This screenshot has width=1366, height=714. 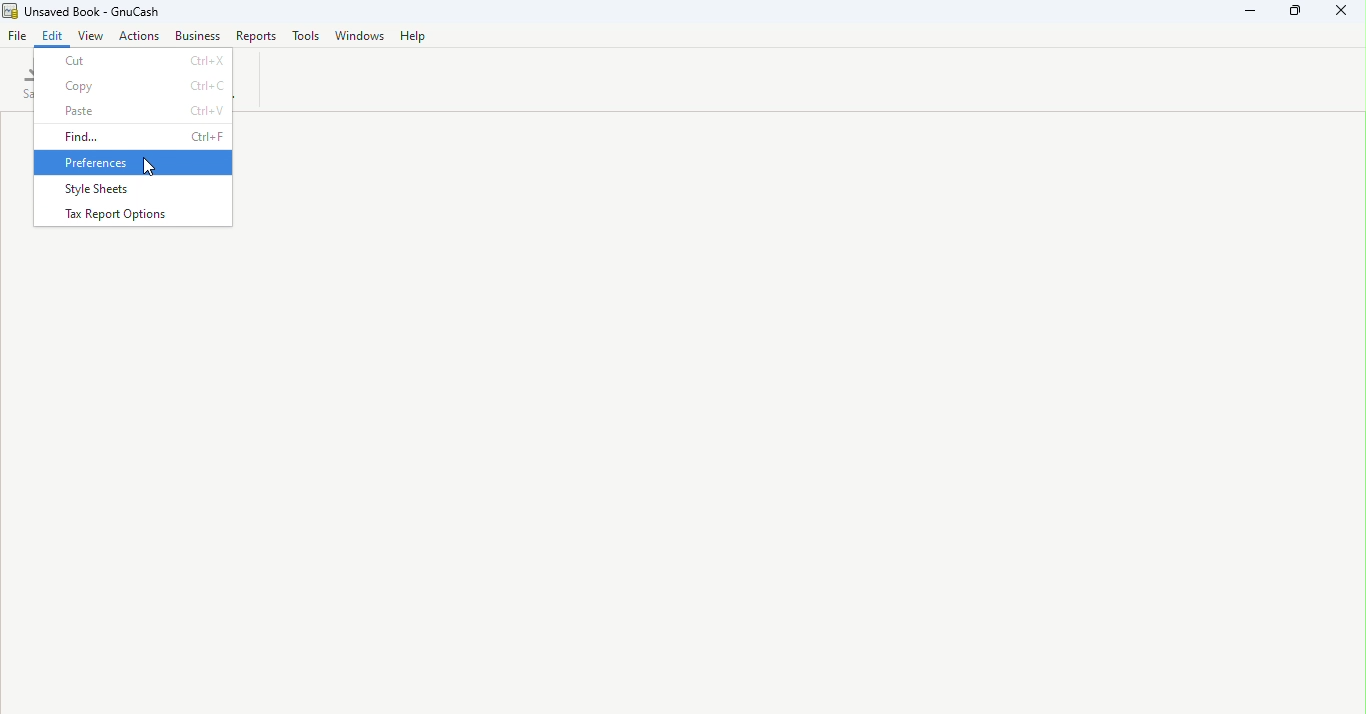 I want to click on Find, so click(x=138, y=138).